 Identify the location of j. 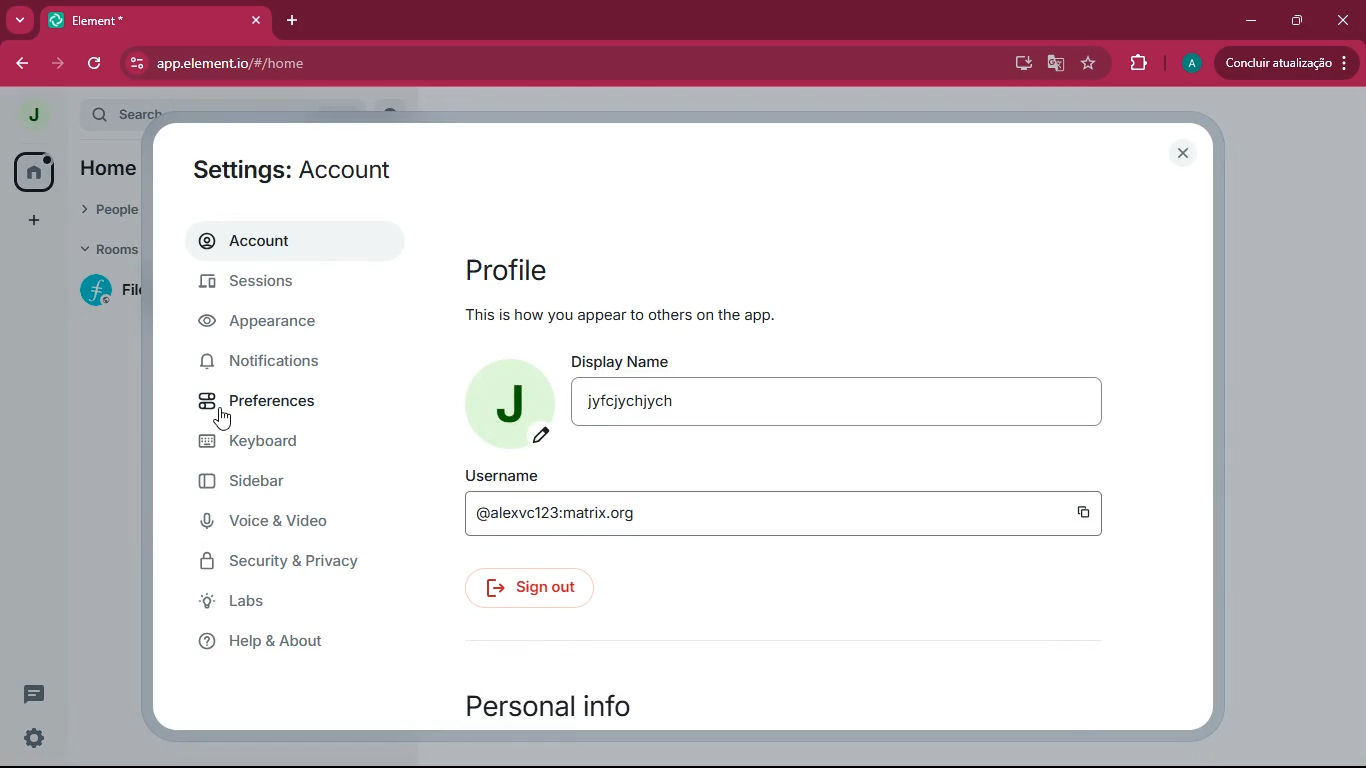
(32, 116).